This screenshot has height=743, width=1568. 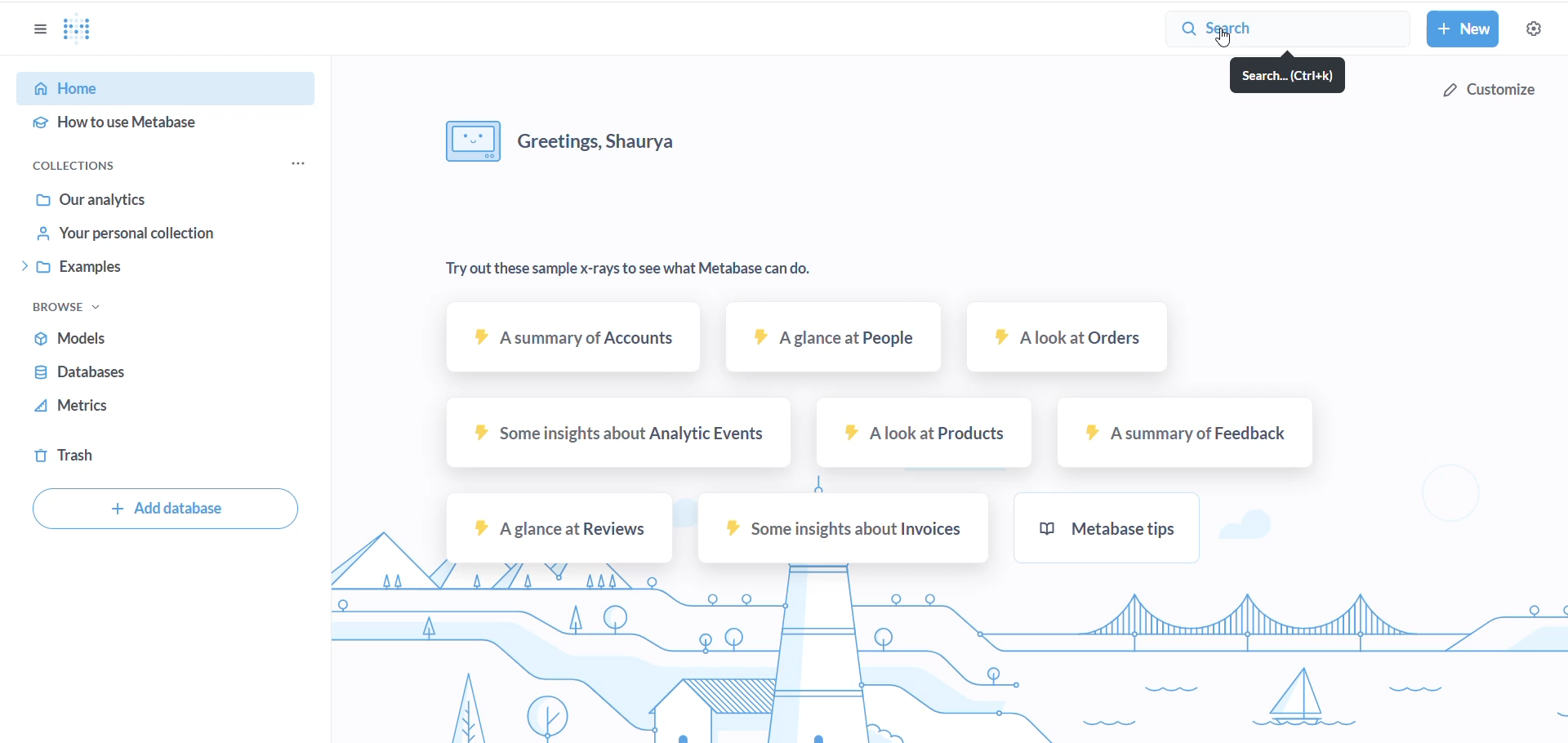 I want to click on examples, so click(x=163, y=268).